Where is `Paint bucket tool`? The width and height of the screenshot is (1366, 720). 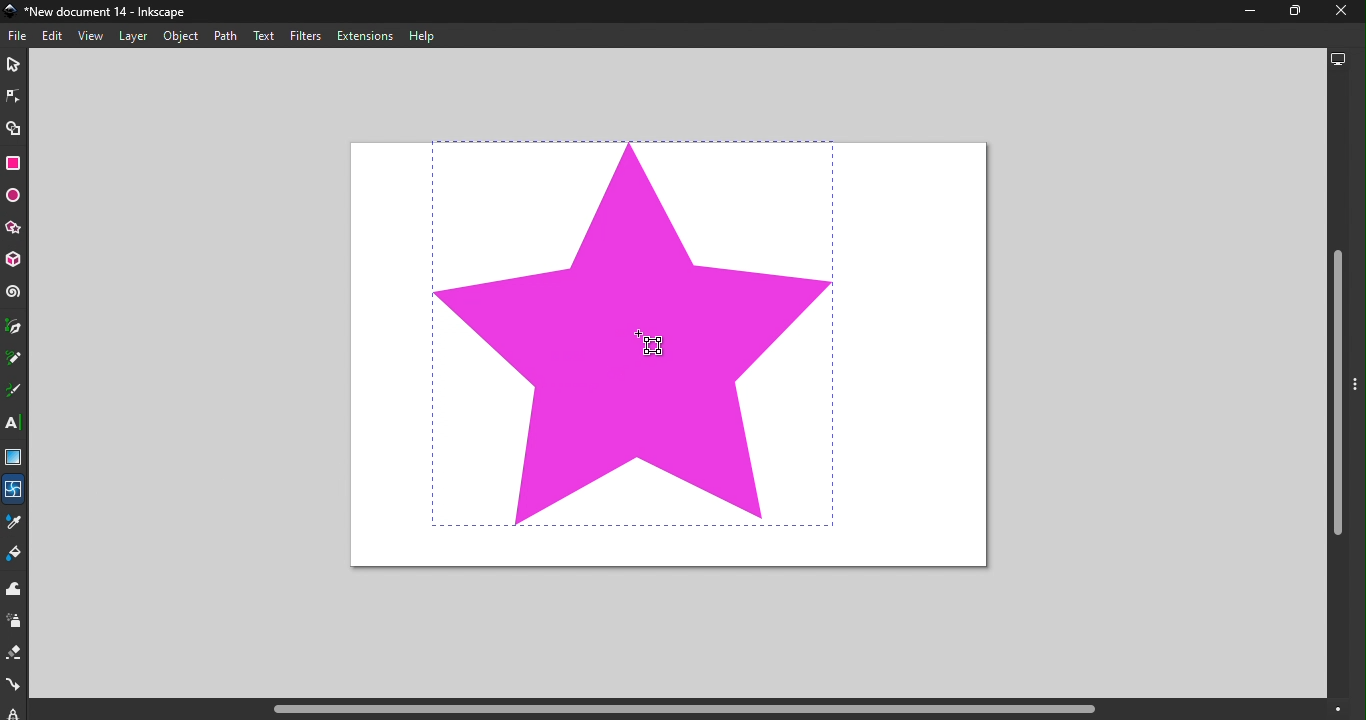
Paint bucket tool is located at coordinates (15, 557).